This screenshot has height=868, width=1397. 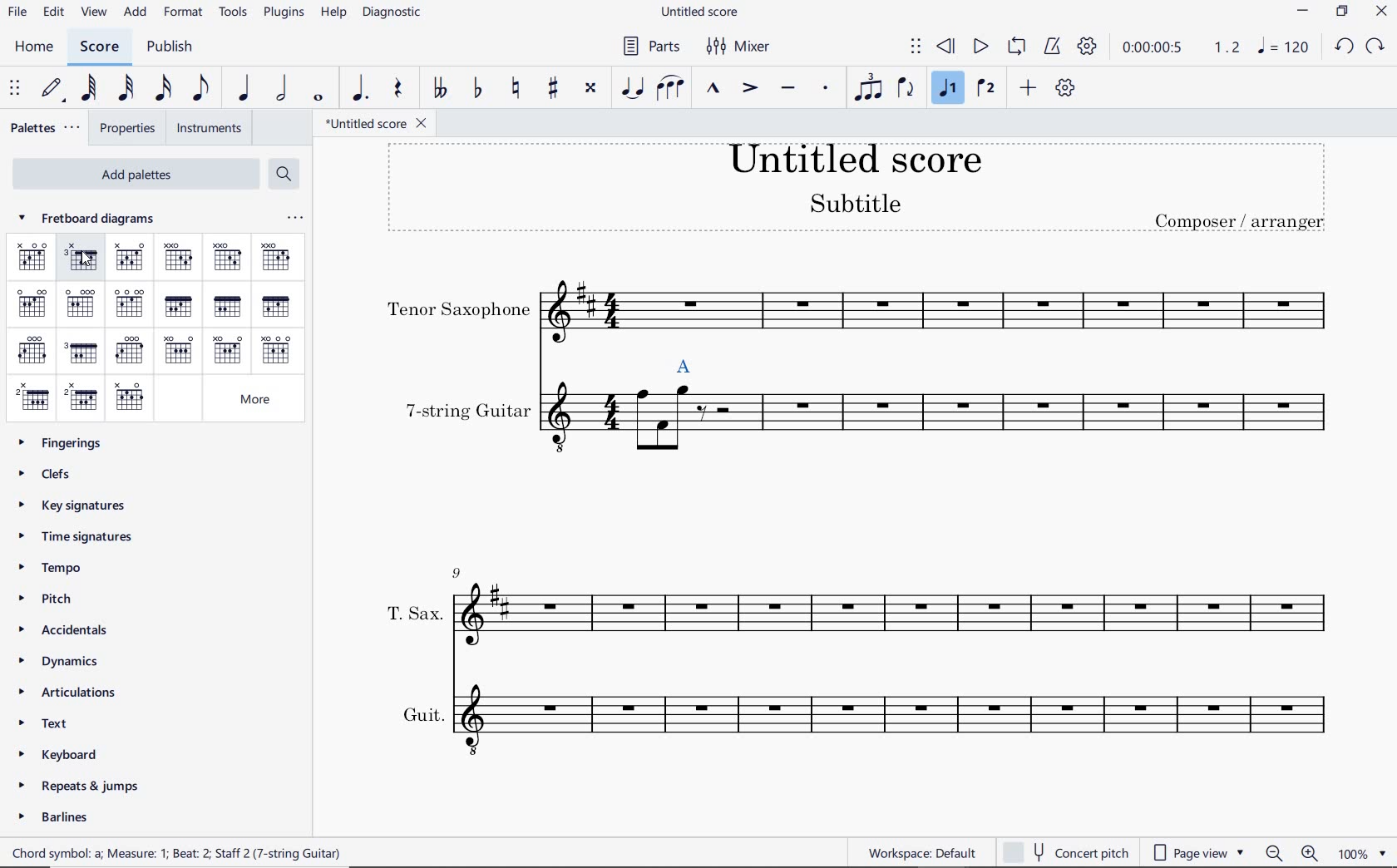 I want to click on TEMPO, so click(x=60, y=570).